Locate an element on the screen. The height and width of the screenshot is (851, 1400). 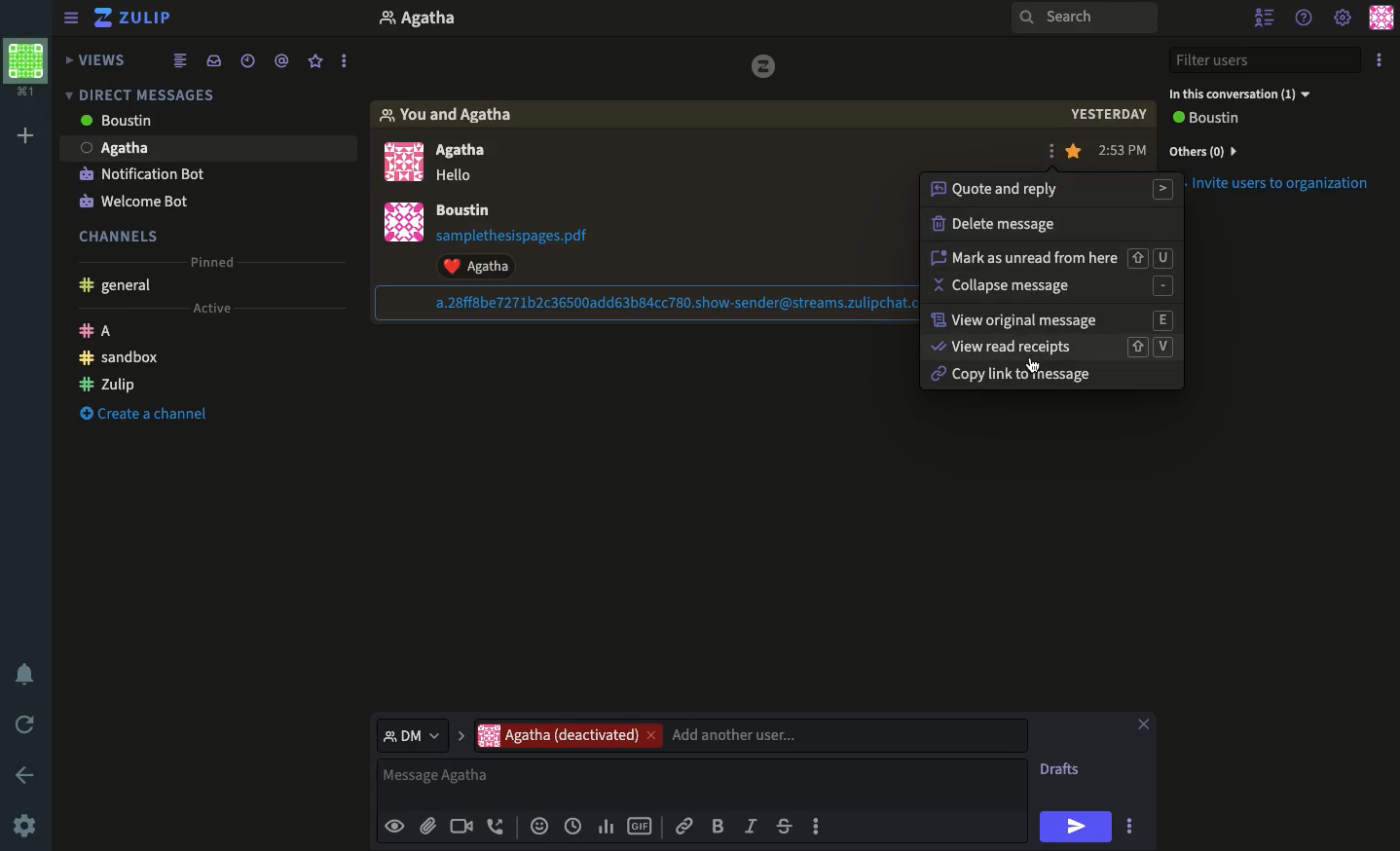
File attachment is located at coordinates (427, 825).